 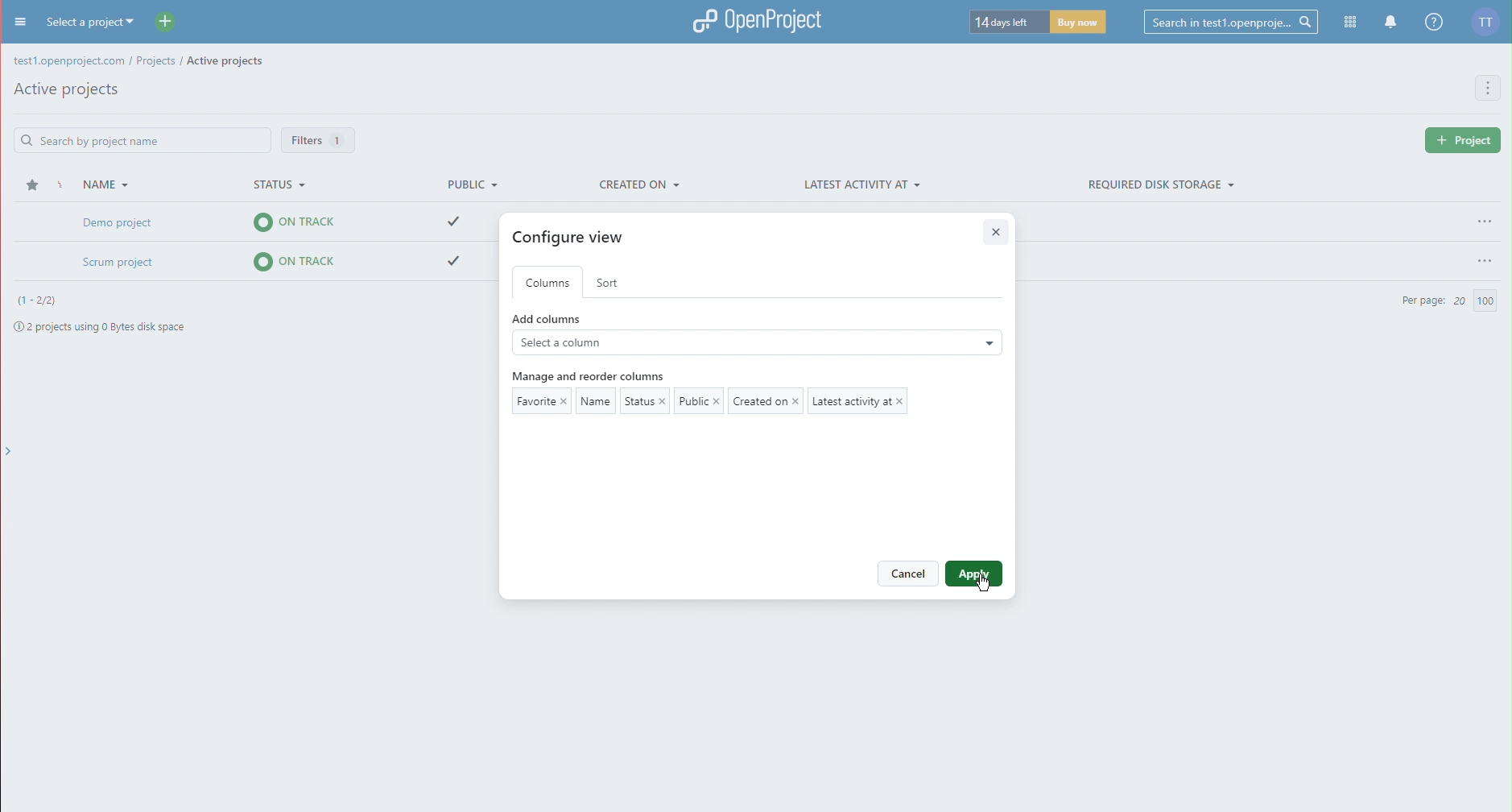 I want to click on Active Projects, so click(x=67, y=91).